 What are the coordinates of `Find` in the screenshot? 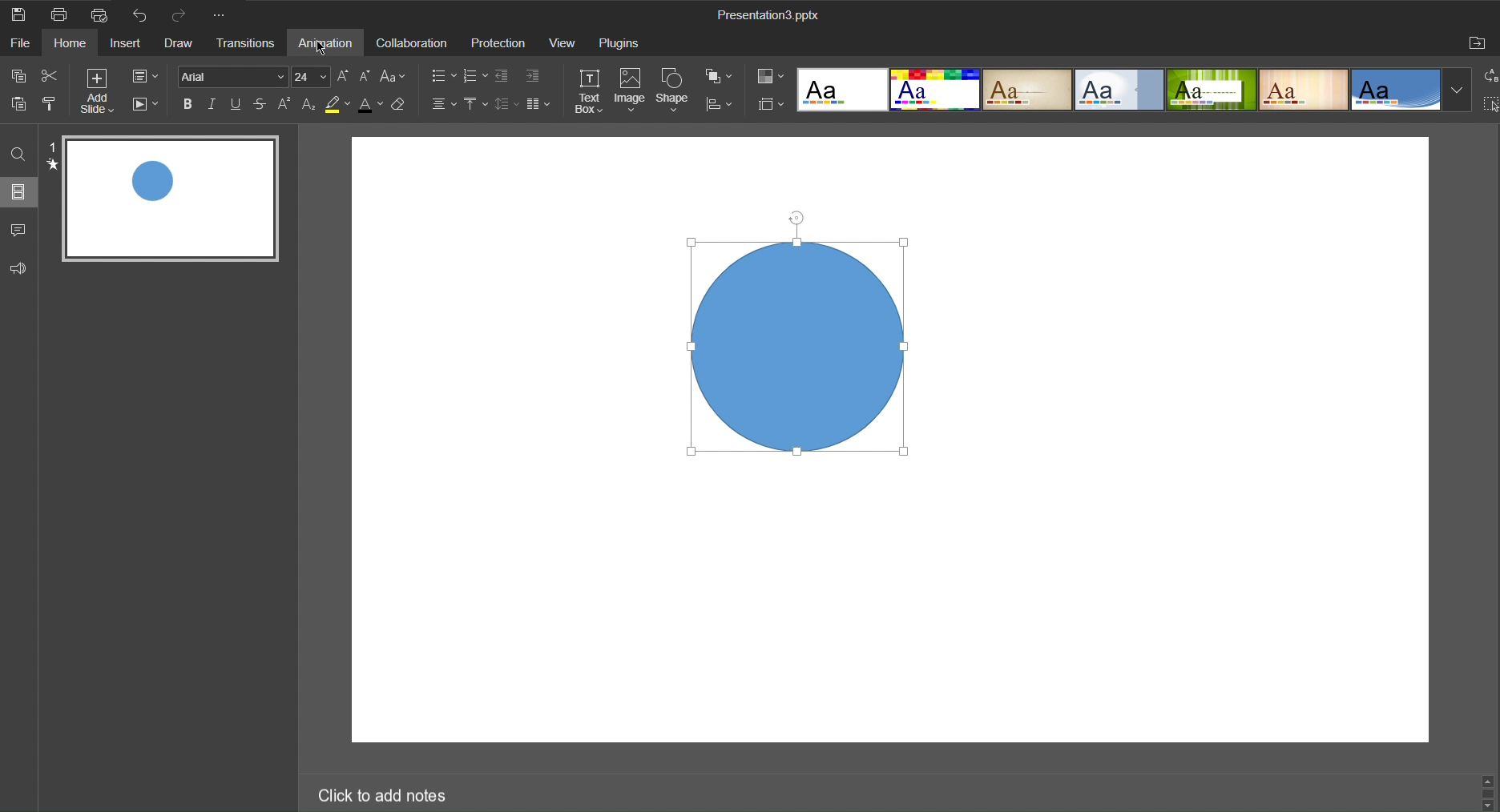 It's located at (19, 152).